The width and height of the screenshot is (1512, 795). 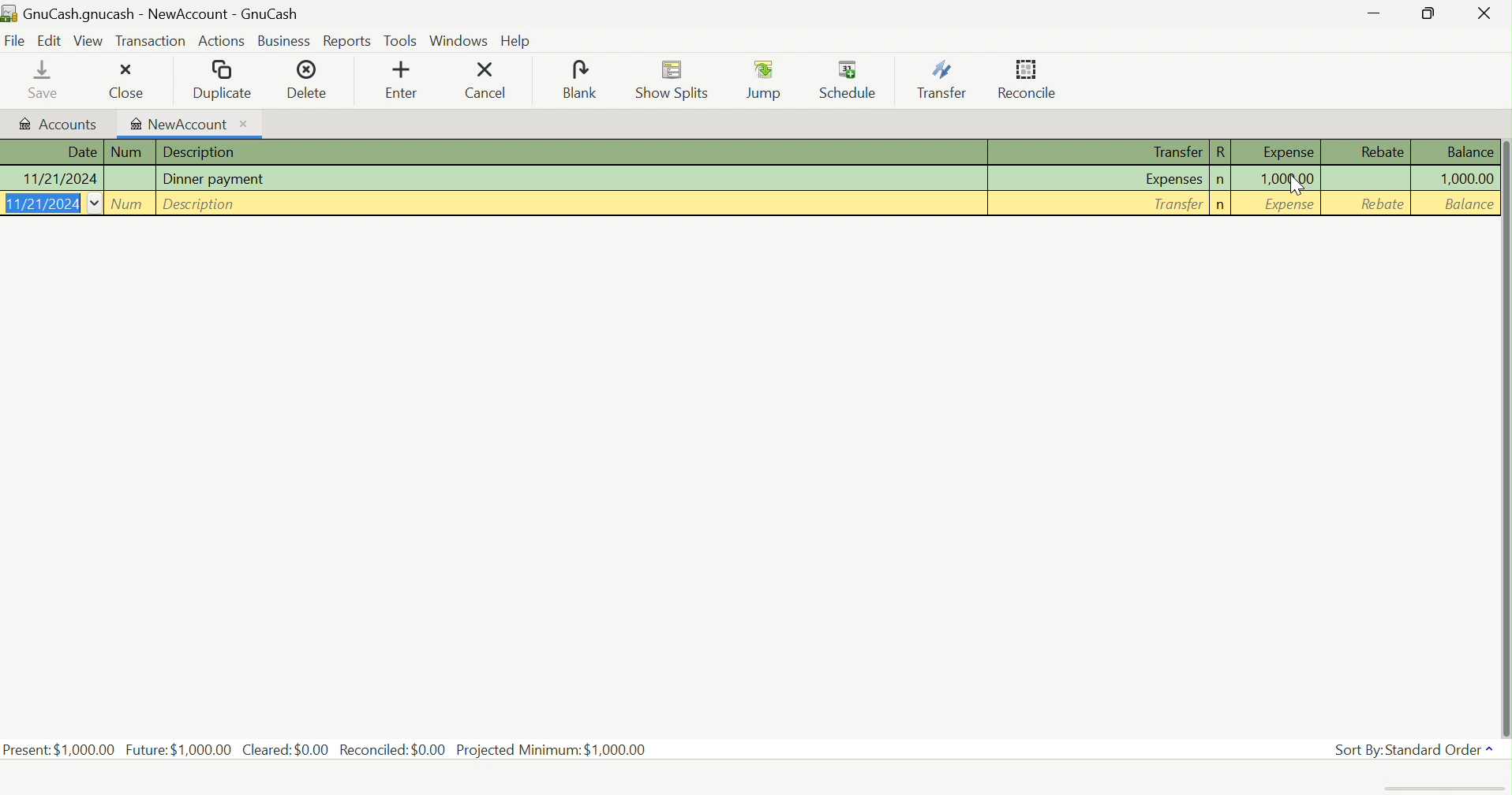 I want to click on GnuCash.gnucash - Accounts - GnuCash, so click(x=149, y=12).